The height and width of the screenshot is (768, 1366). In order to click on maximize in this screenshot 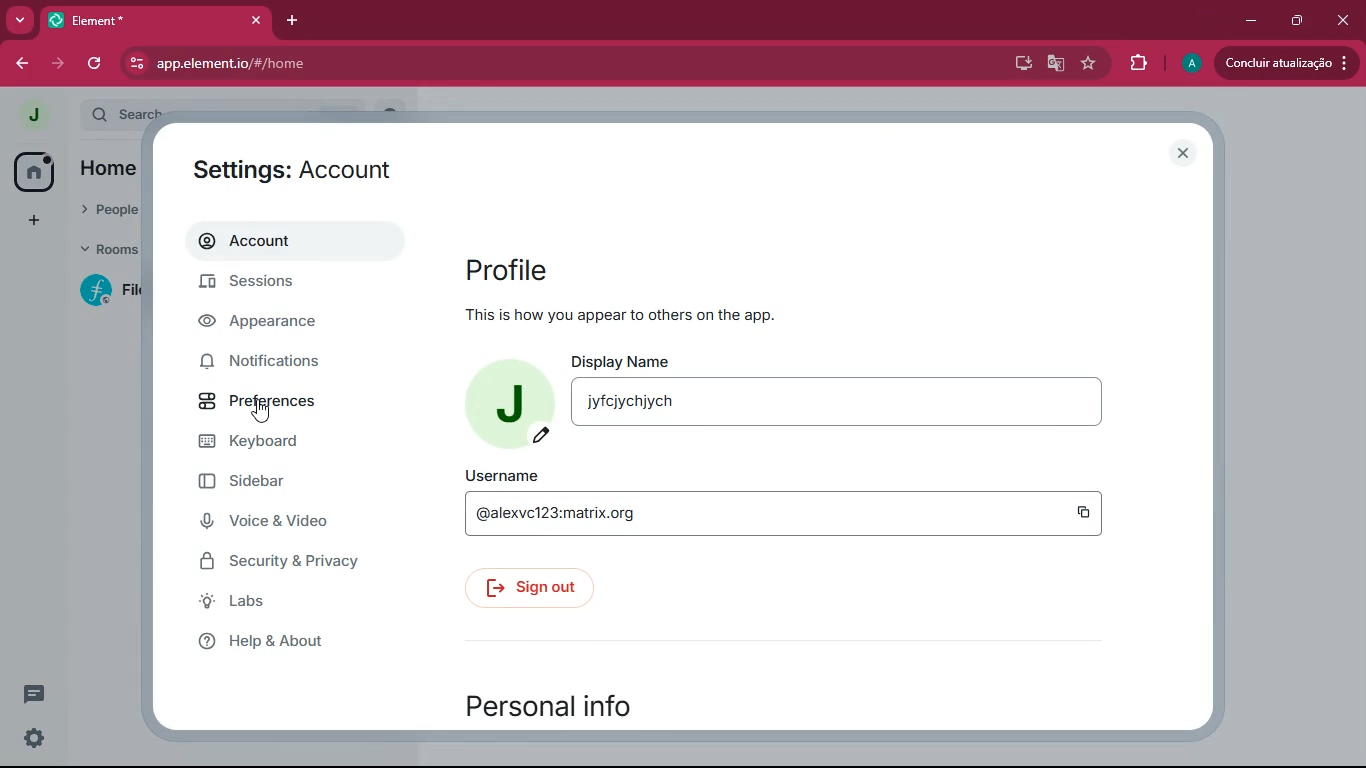, I will do `click(1296, 22)`.